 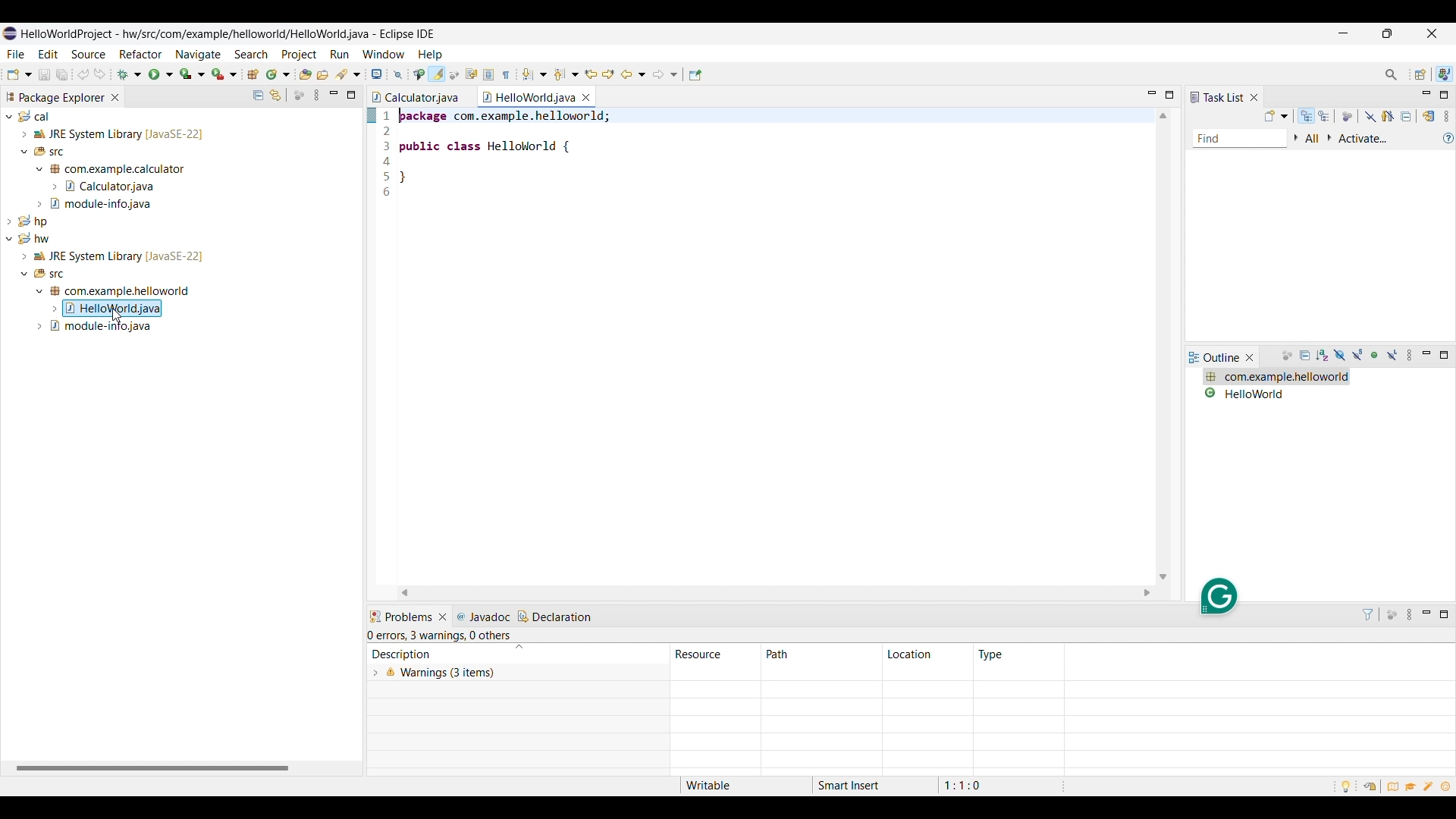 I want to click on Select active task, so click(x=1330, y=138).